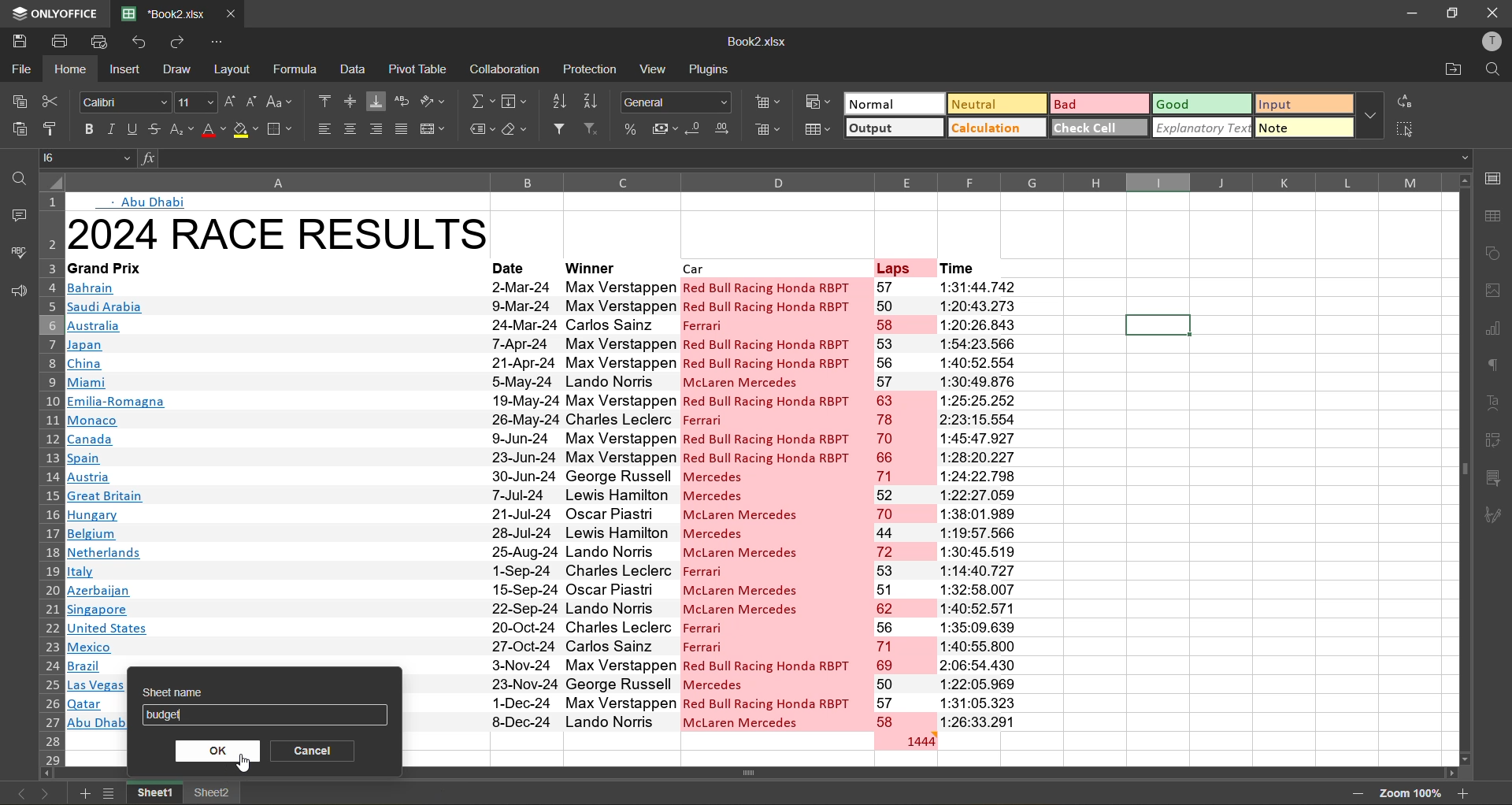  What do you see at coordinates (1494, 214) in the screenshot?
I see `table` at bounding box center [1494, 214].